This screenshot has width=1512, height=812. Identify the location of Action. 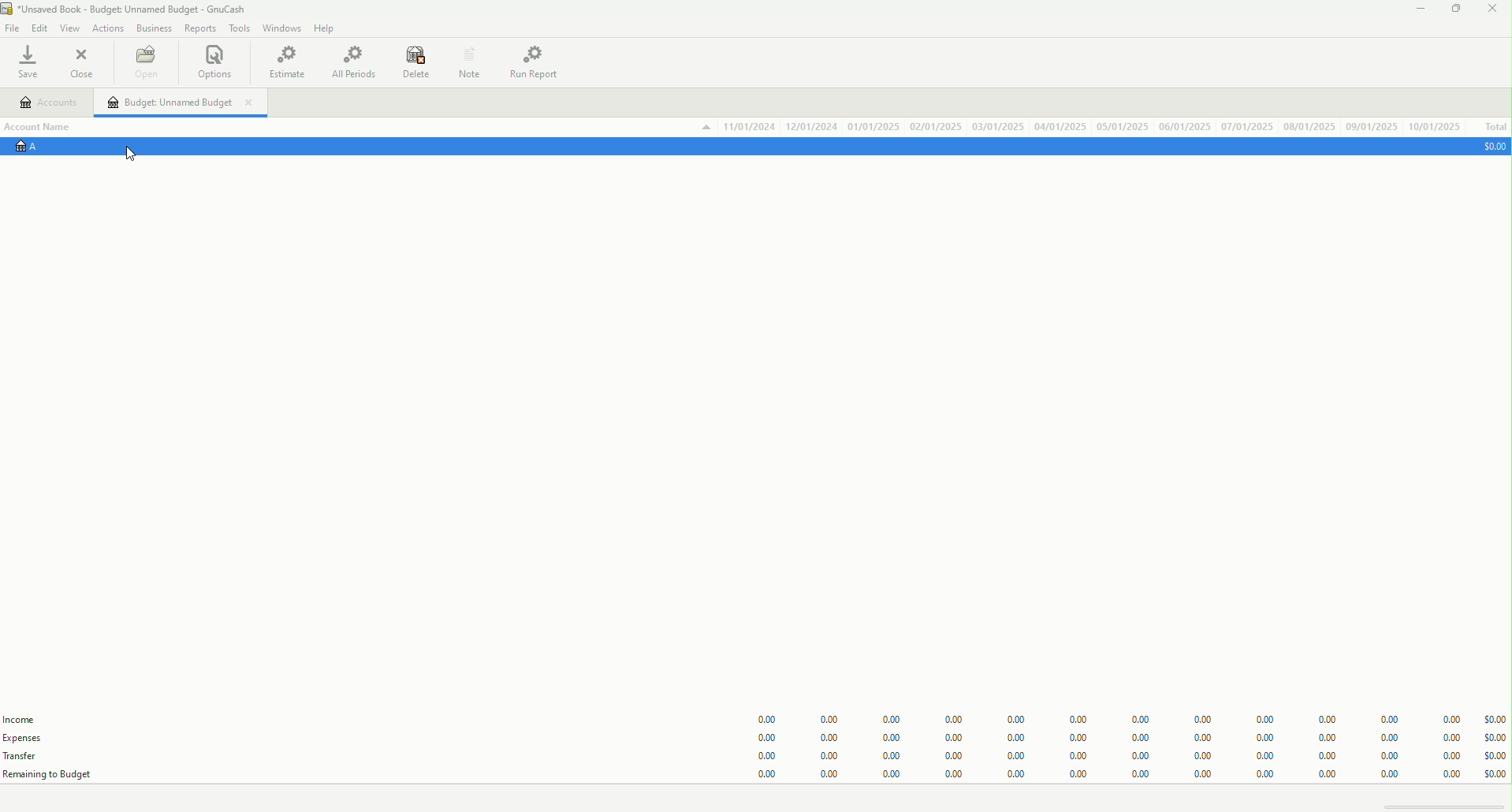
(105, 28).